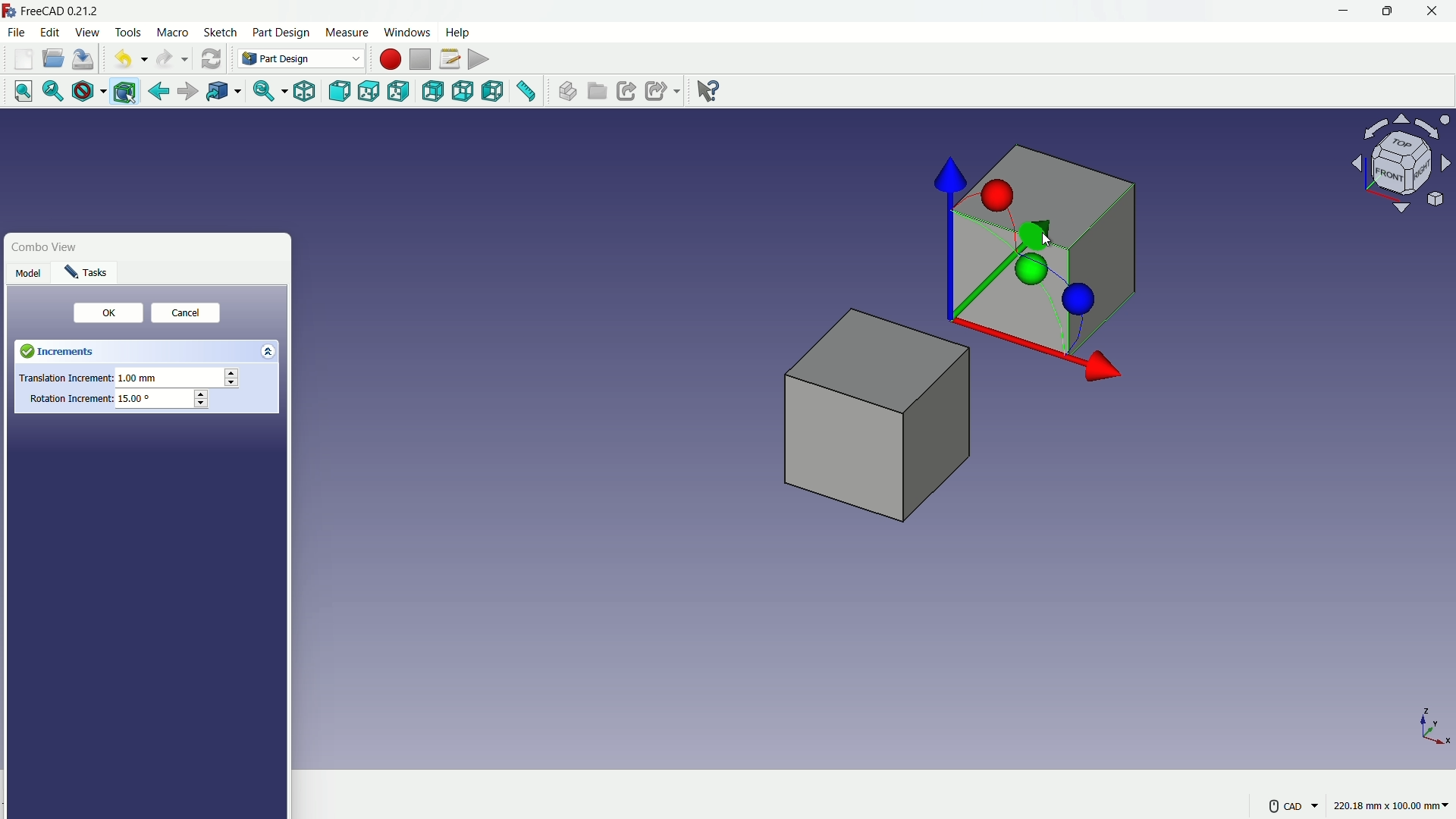 The image size is (1456, 819). Describe the element at coordinates (527, 93) in the screenshot. I see `measure` at that location.